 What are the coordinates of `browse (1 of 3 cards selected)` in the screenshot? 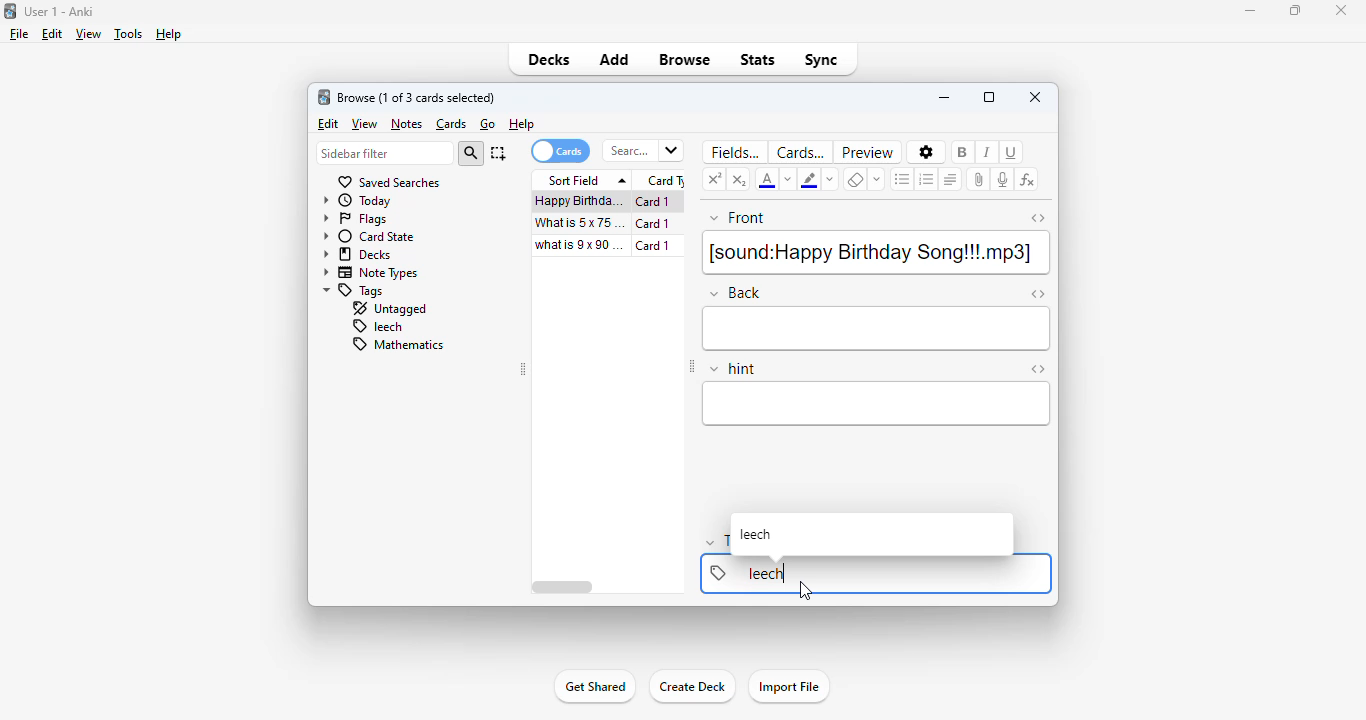 It's located at (417, 98).